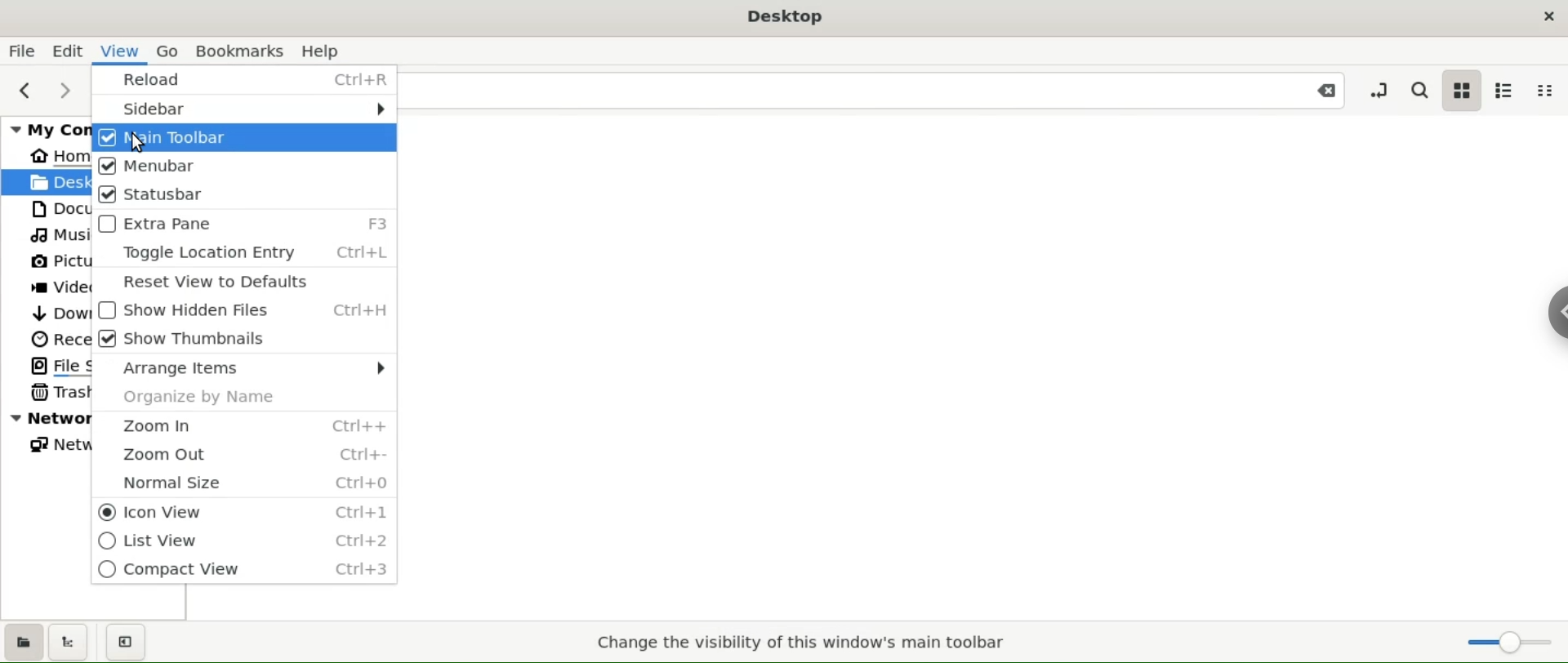  Describe the element at coordinates (786, 16) in the screenshot. I see `desktop` at that location.